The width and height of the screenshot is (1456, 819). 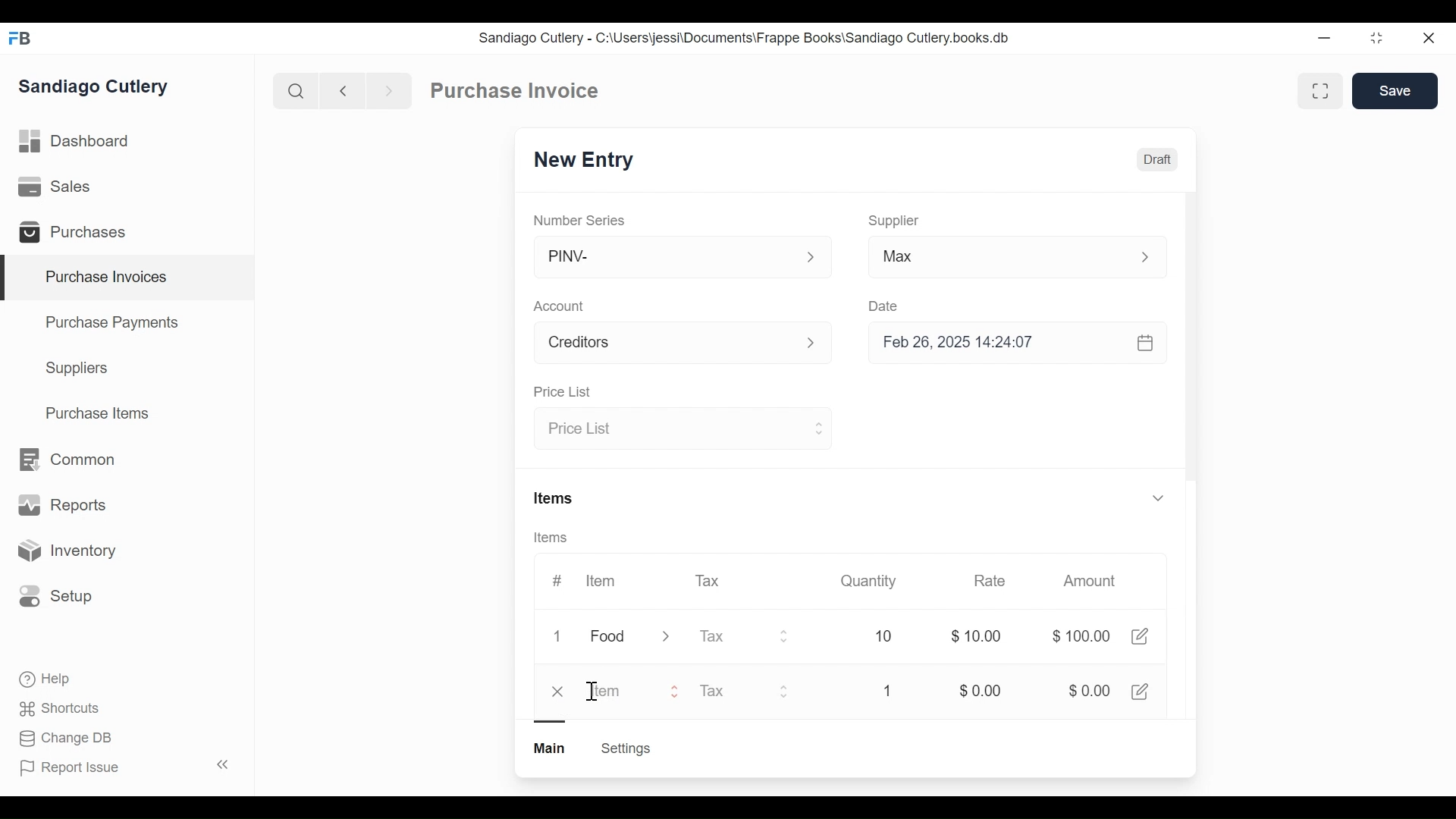 I want to click on Purchase Invoice, so click(x=516, y=91).